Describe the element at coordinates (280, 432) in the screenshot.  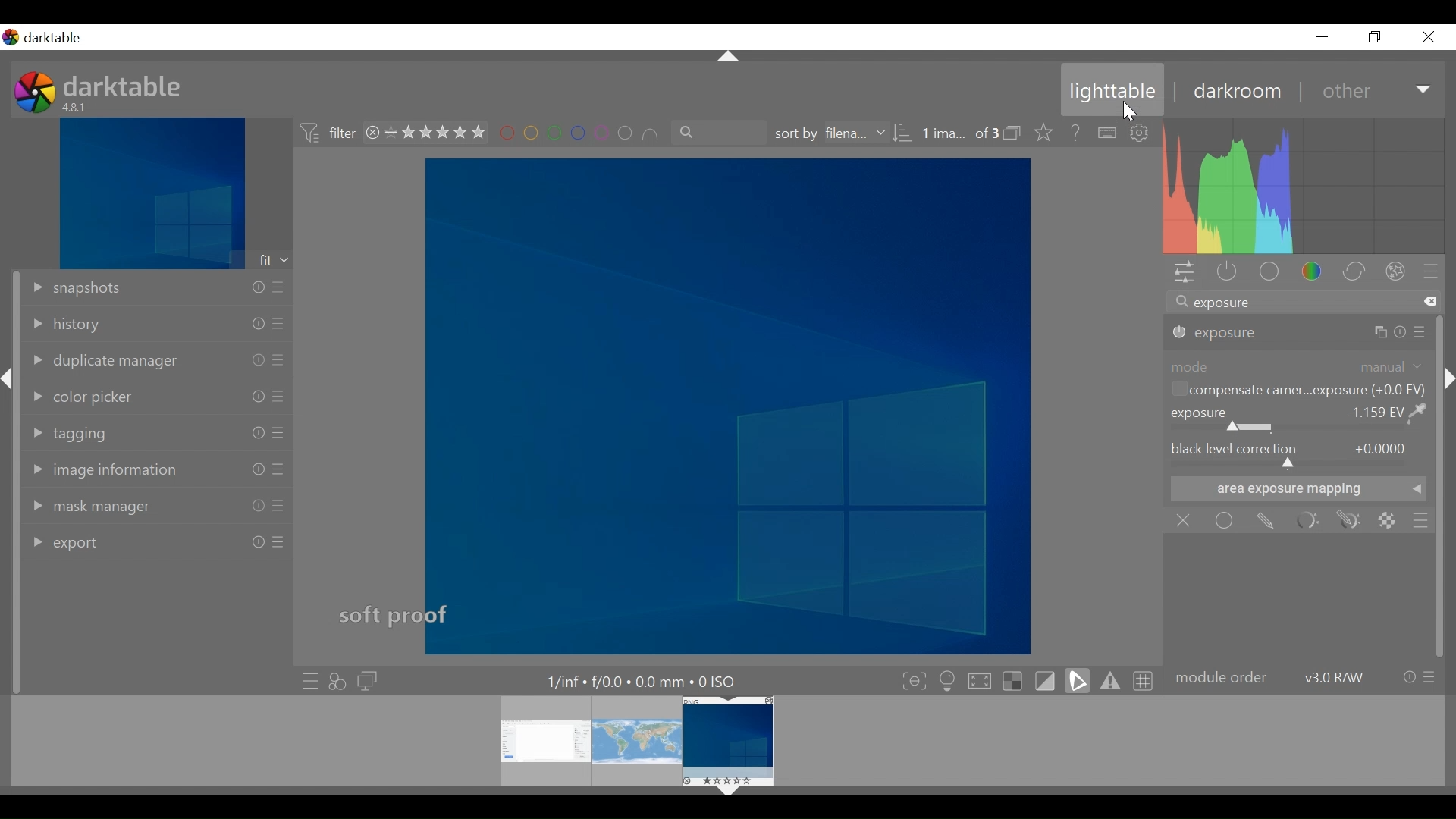
I see `presets` at that location.